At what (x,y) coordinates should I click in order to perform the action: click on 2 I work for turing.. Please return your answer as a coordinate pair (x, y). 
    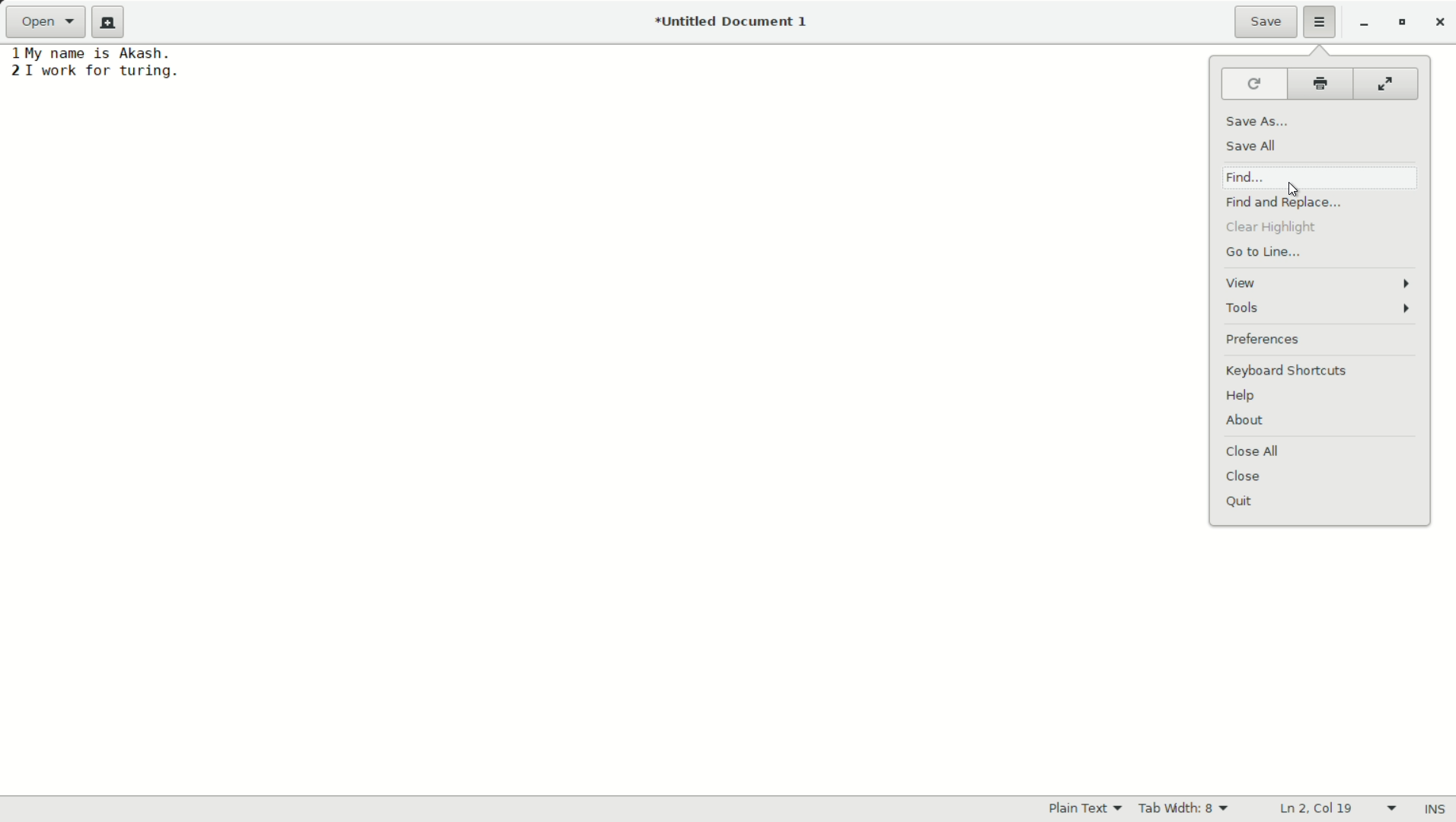
    Looking at the image, I should click on (94, 71).